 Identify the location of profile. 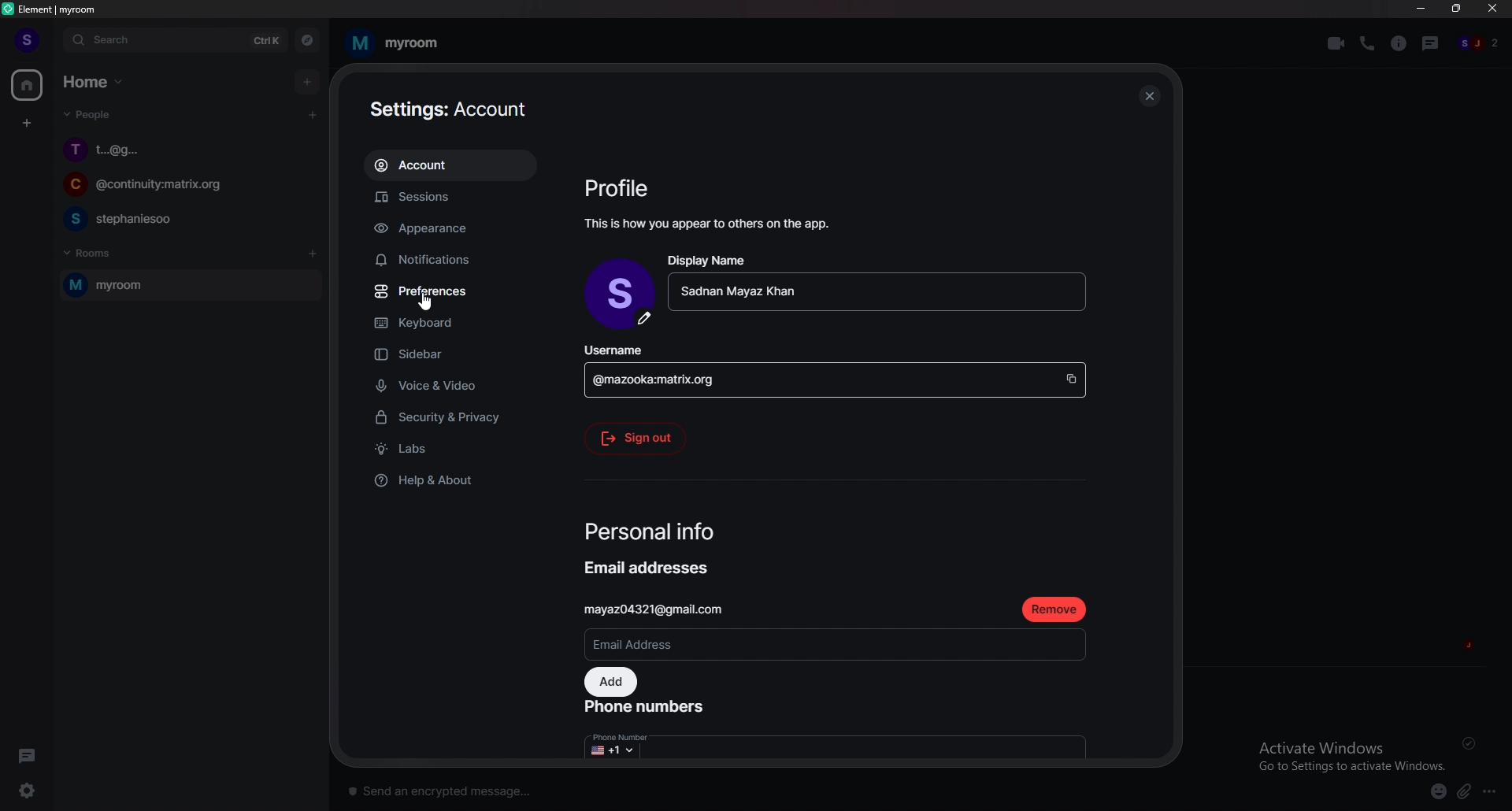
(621, 189).